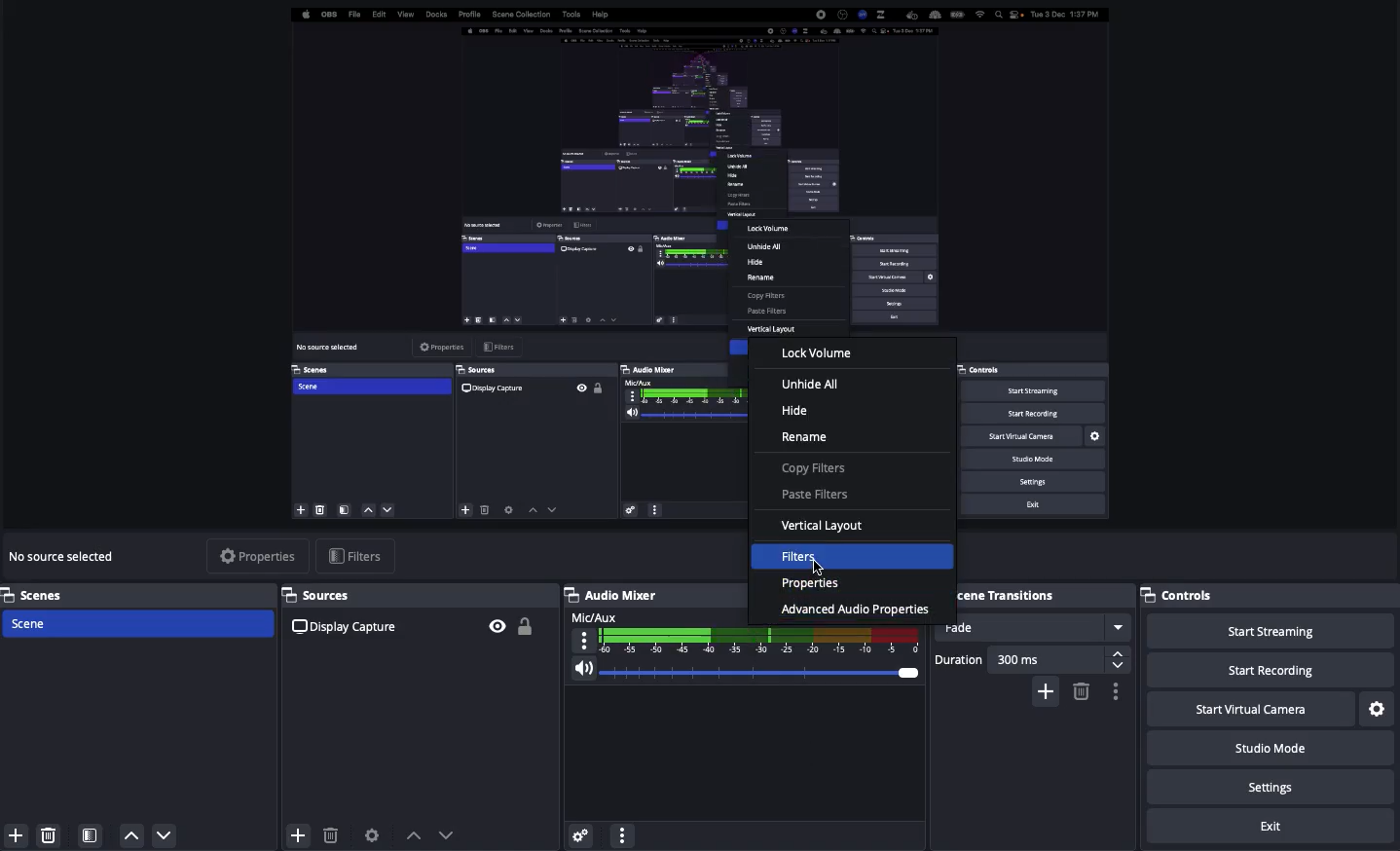  I want to click on Copy filters, so click(816, 470).